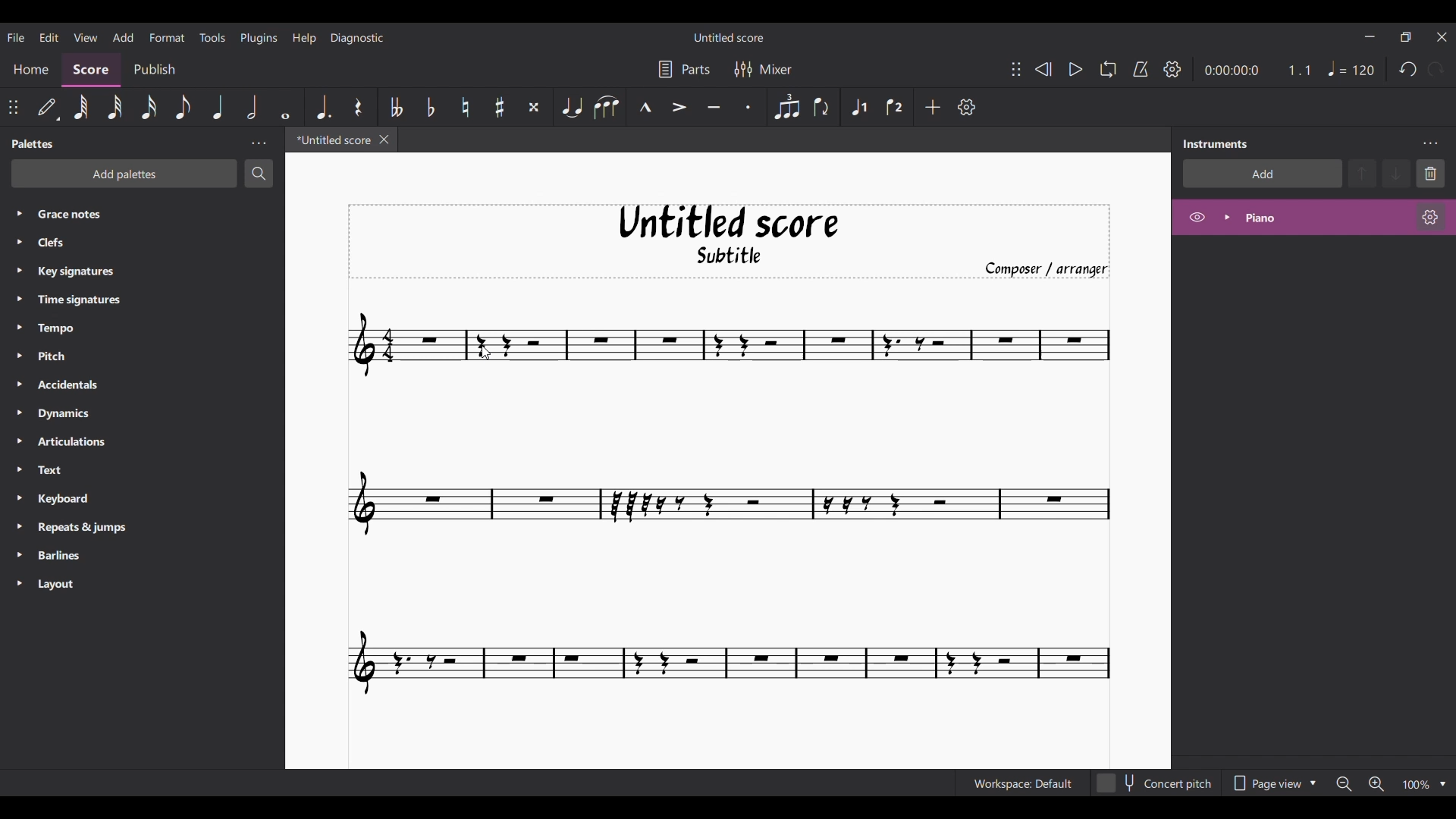 This screenshot has width=1456, height=819. I want to click on Mixer settings, so click(764, 70).